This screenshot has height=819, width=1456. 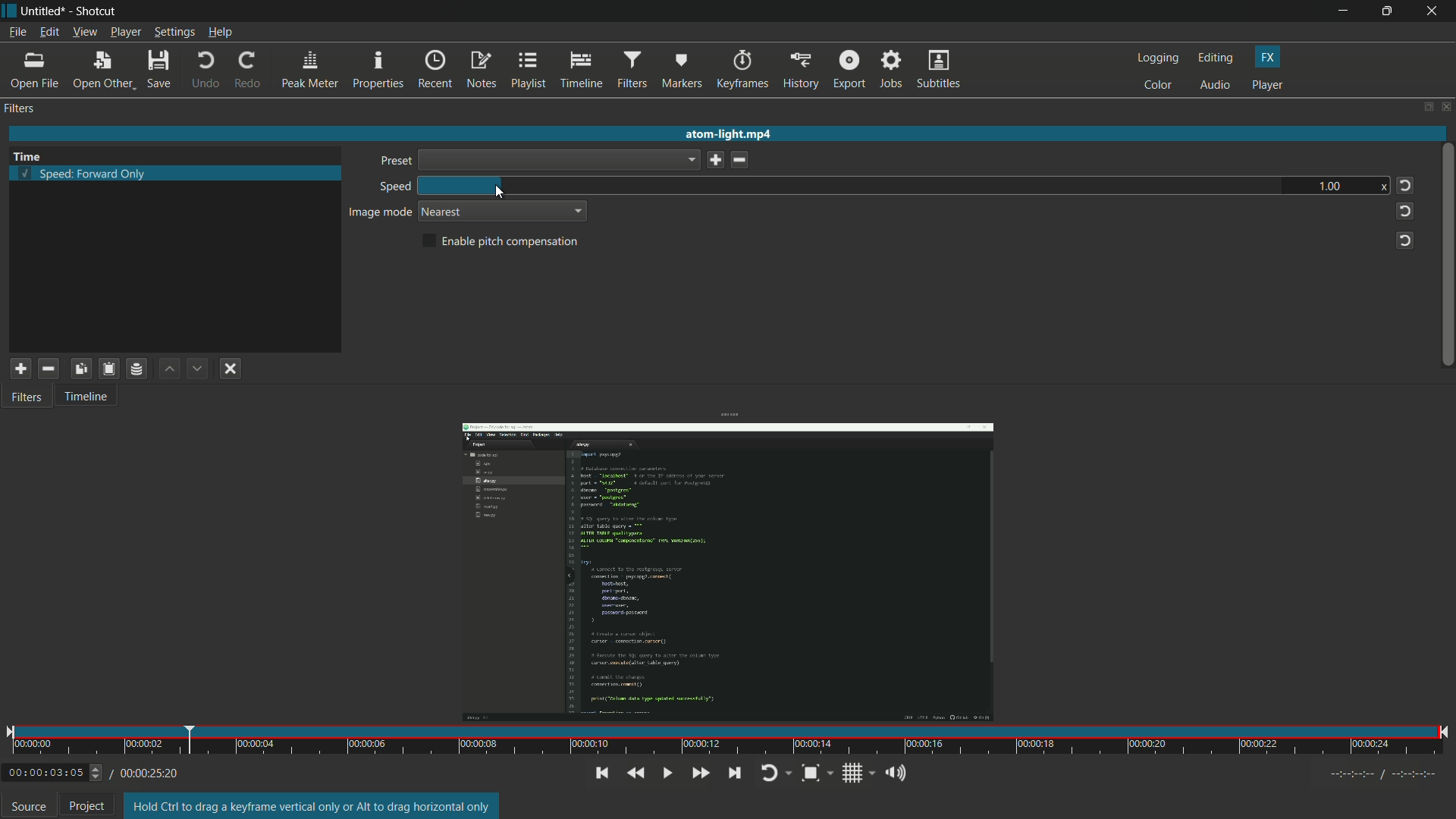 What do you see at coordinates (9, 10) in the screenshot?
I see `shotcut icon` at bounding box center [9, 10].